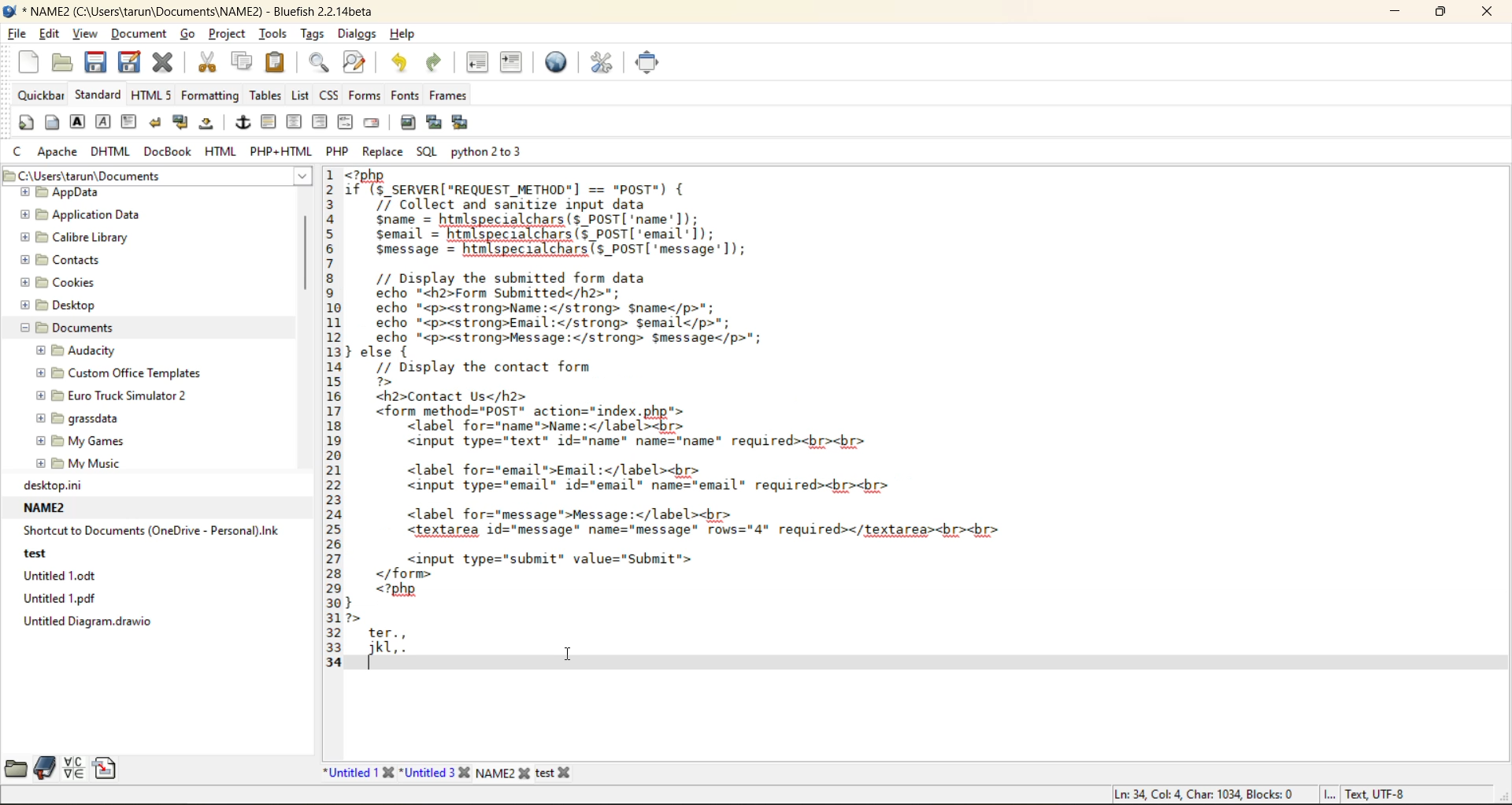  I want to click on Untitled 1.odt, so click(61, 578).